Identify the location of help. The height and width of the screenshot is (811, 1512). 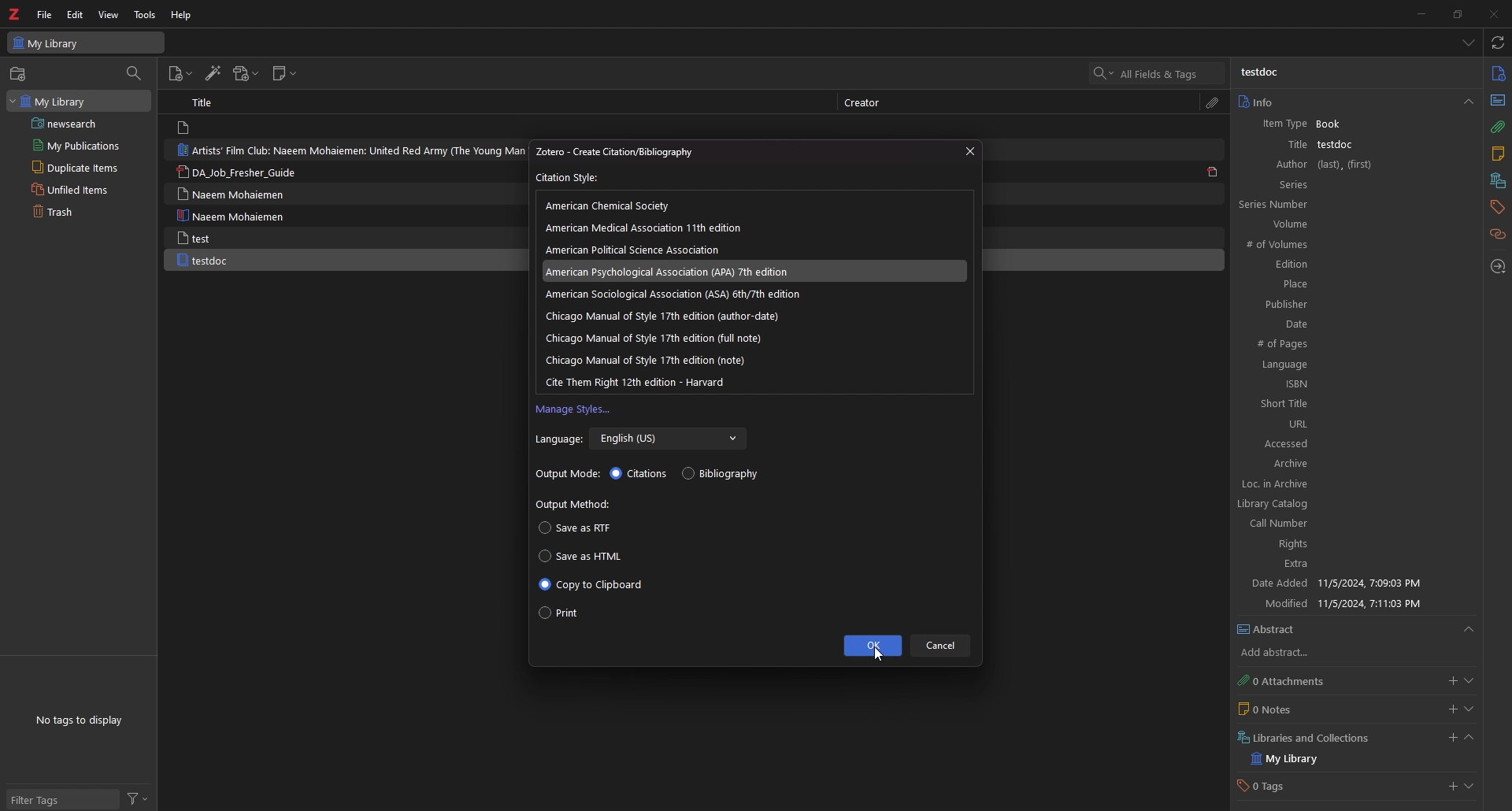
(183, 14).